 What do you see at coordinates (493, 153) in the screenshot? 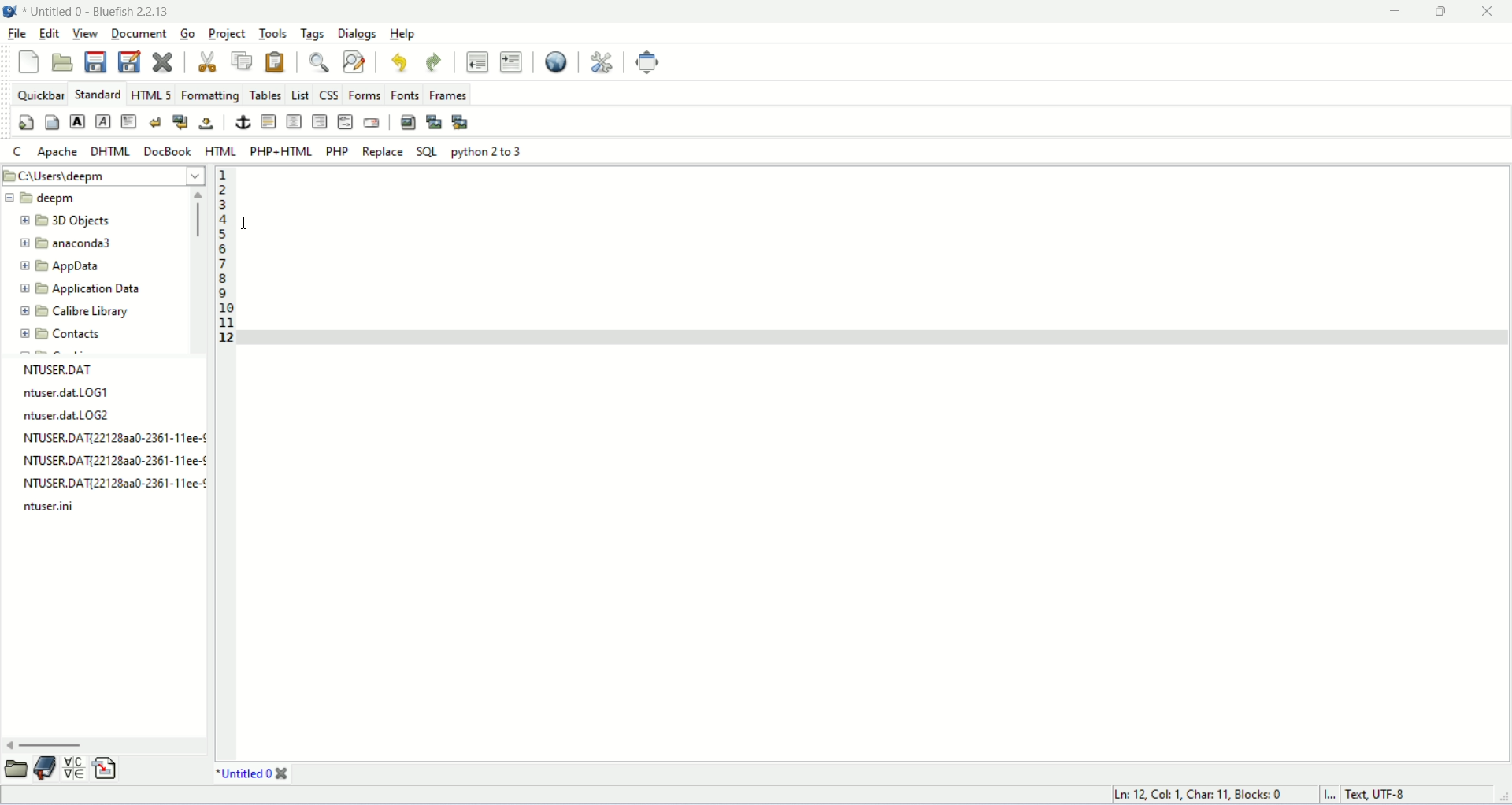
I see `python 2 to 3` at bounding box center [493, 153].